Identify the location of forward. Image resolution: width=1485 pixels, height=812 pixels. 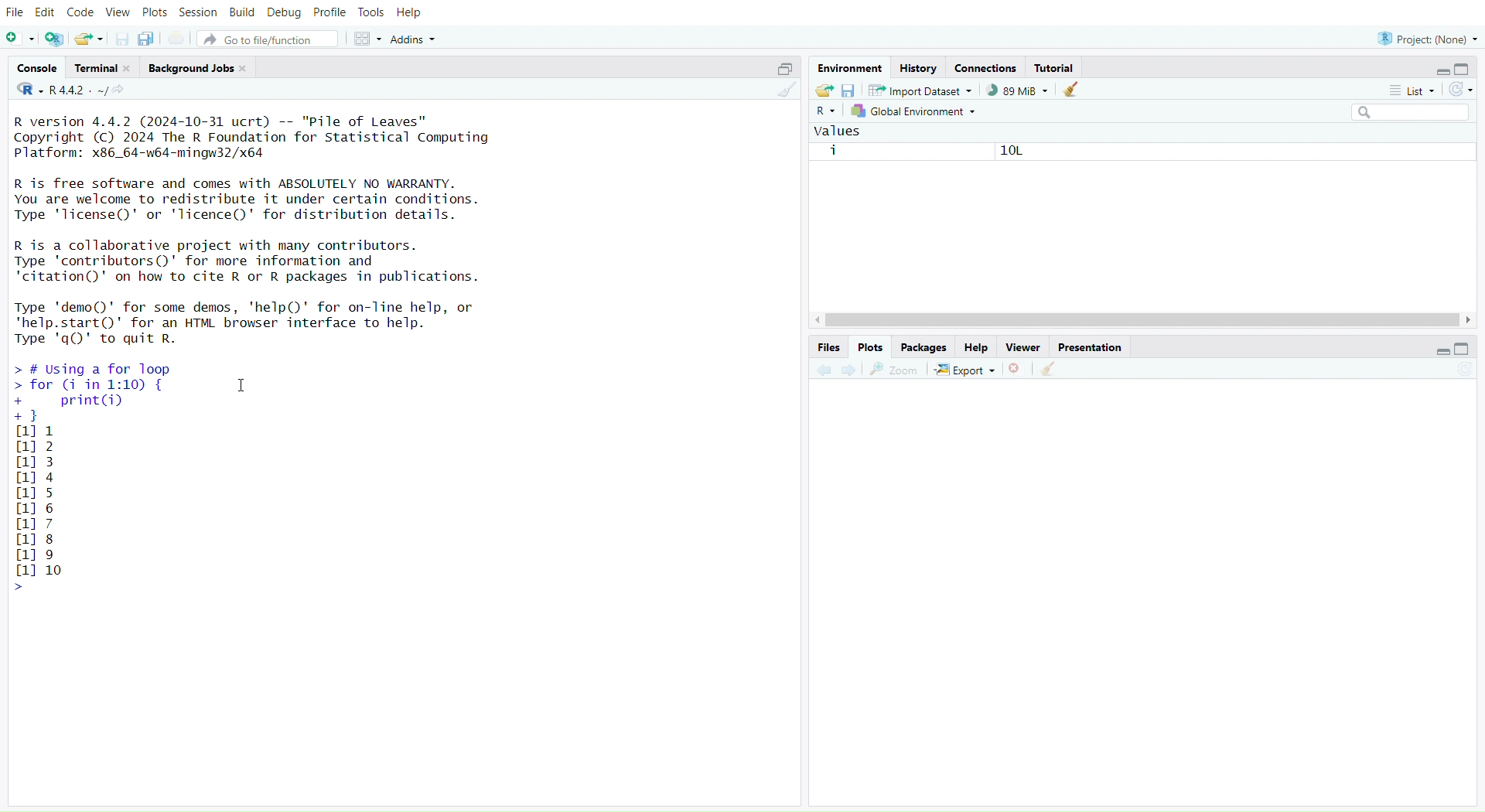
(852, 370).